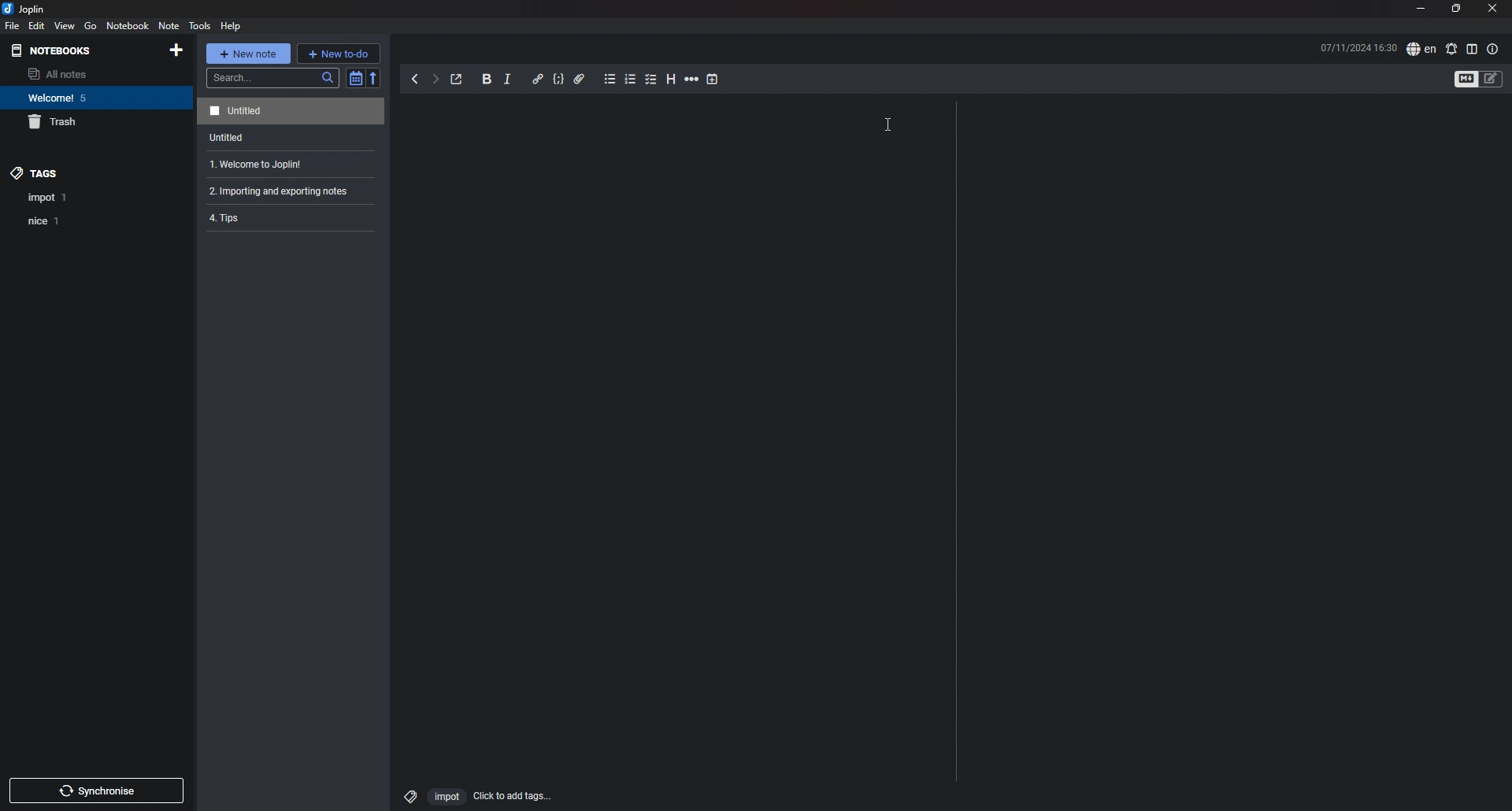 The image size is (1512, 811). What do you see at coordinates (280, 194) in the screenshot?
I see `2. Importing and exporting` at bounding box center [280, 194].